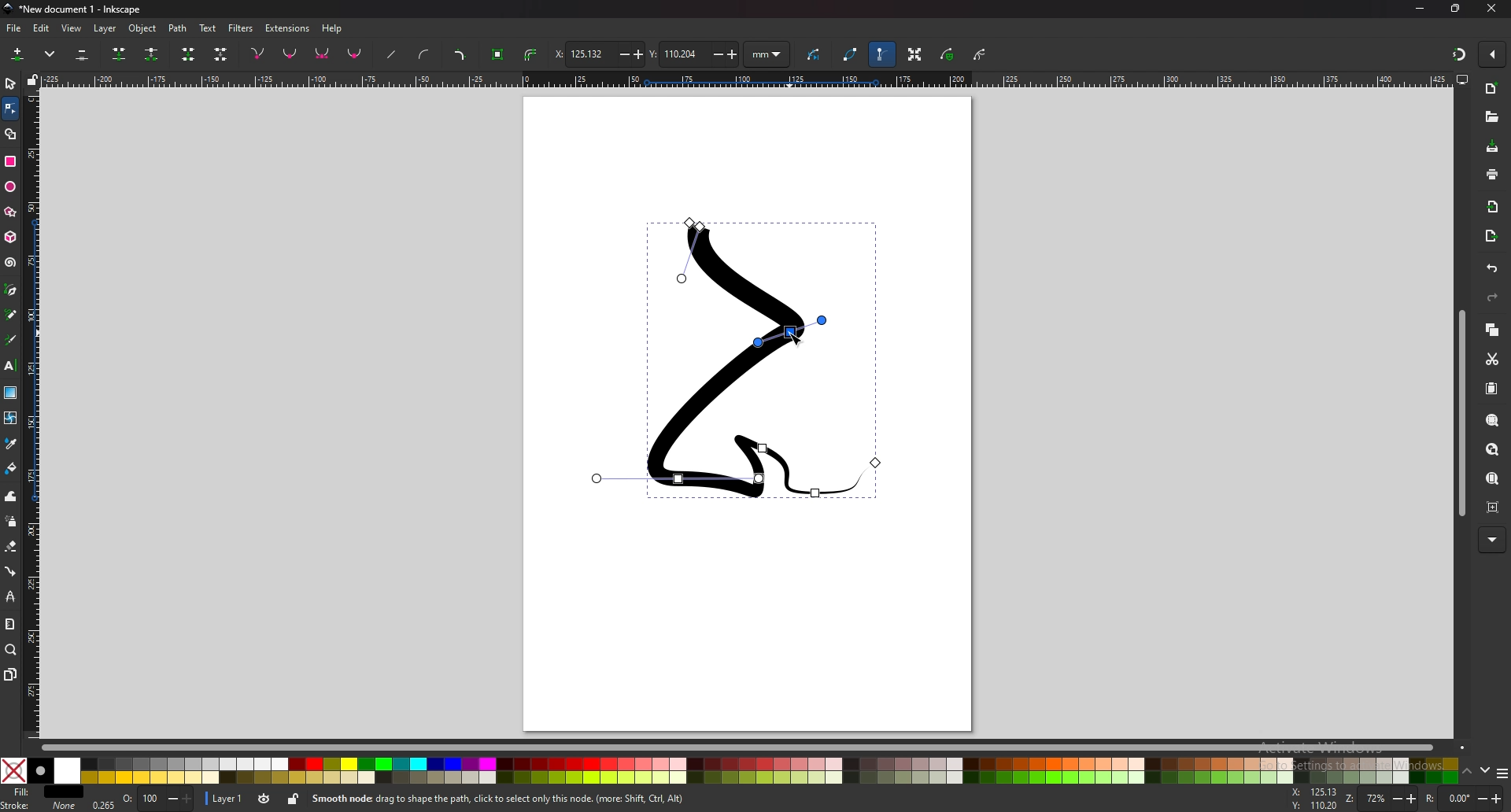 This screenshot has height=812, width=1511. Describe the element at coordinates (767, 55) in the screenshot. I see `unit` at that location.